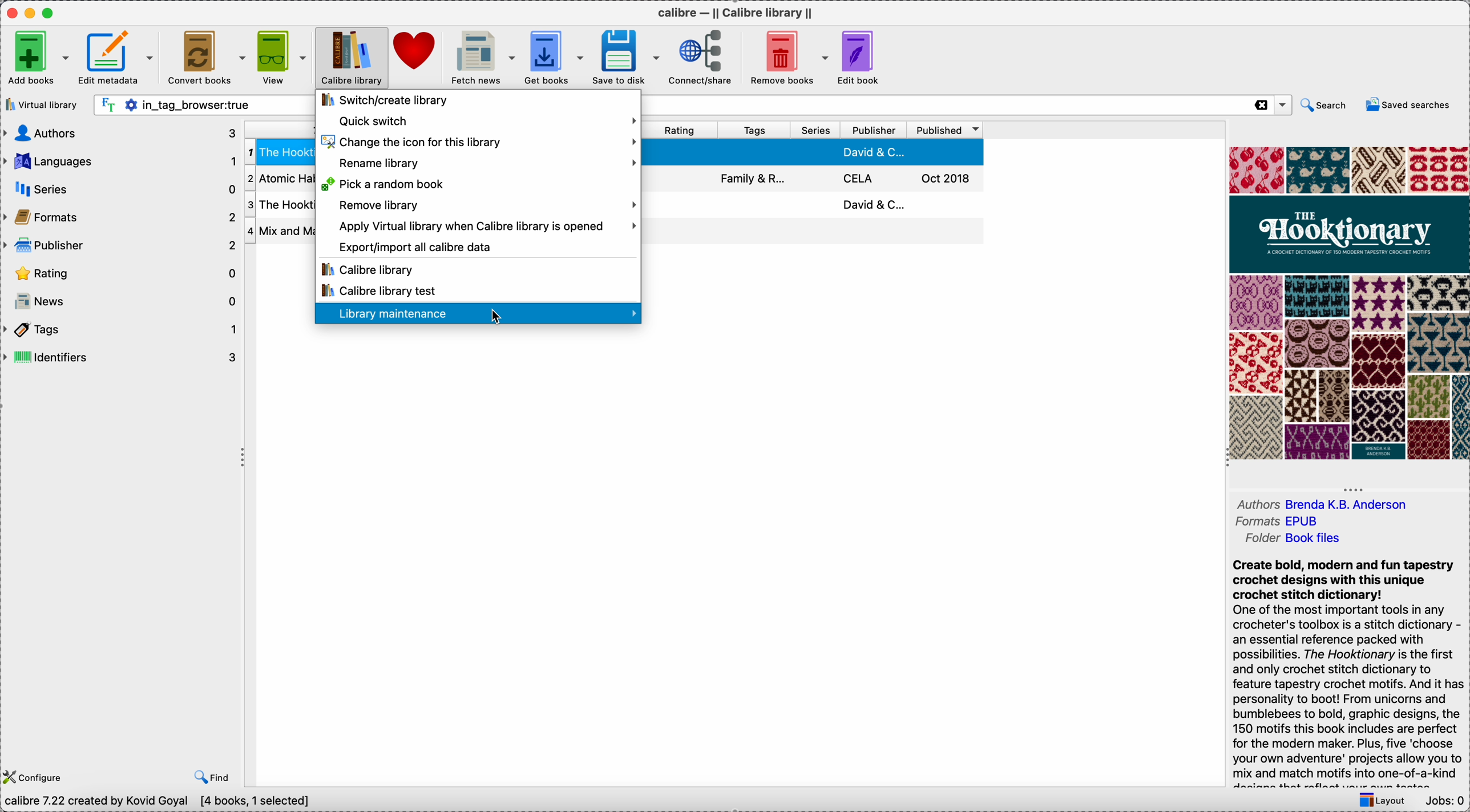 The width and height of the screenshot is (1470, 812). I want to click on edit metadata, so click(118, 61).